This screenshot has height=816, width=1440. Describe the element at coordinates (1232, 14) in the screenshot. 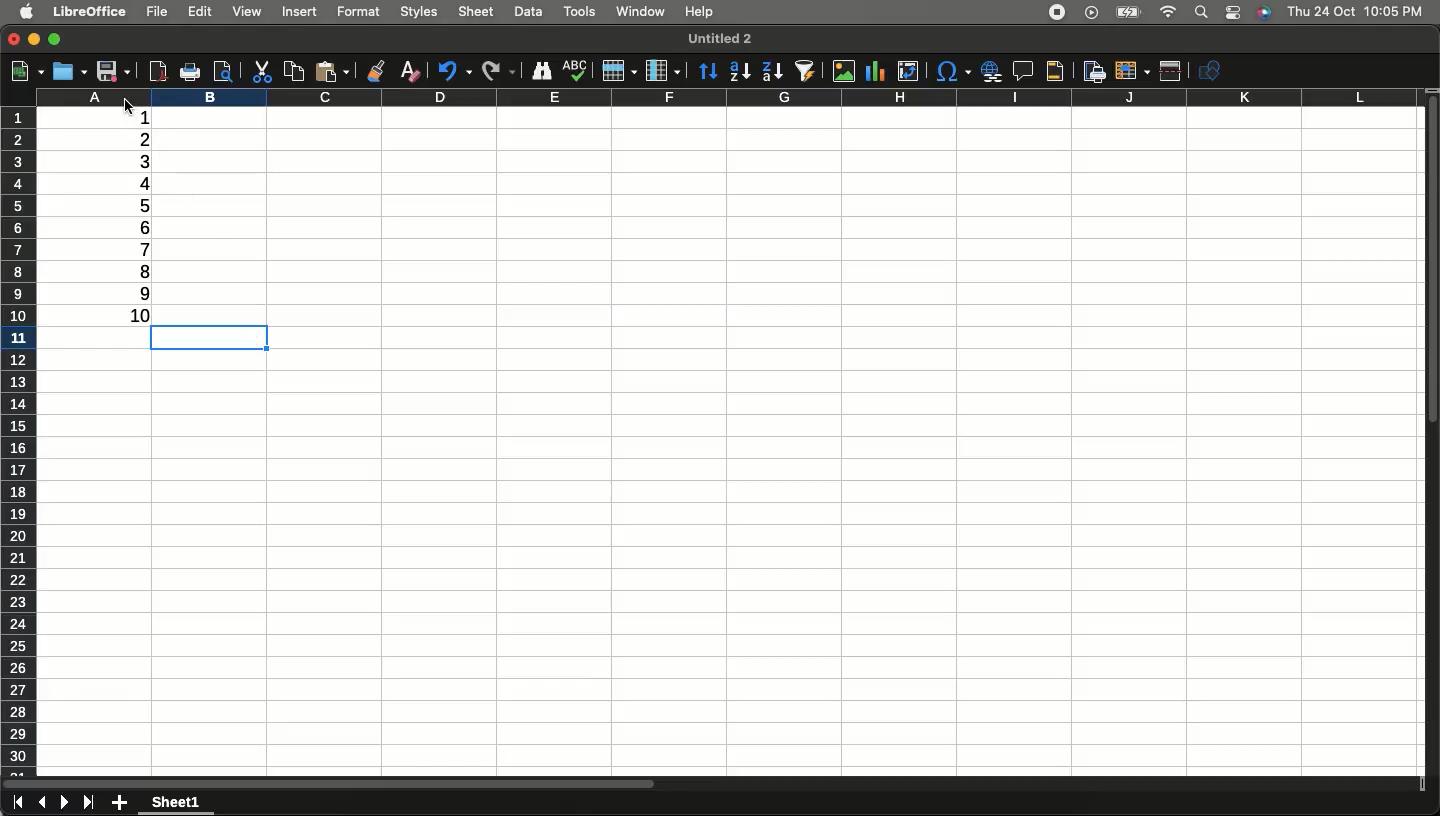

I see `Notification bar` at that location.